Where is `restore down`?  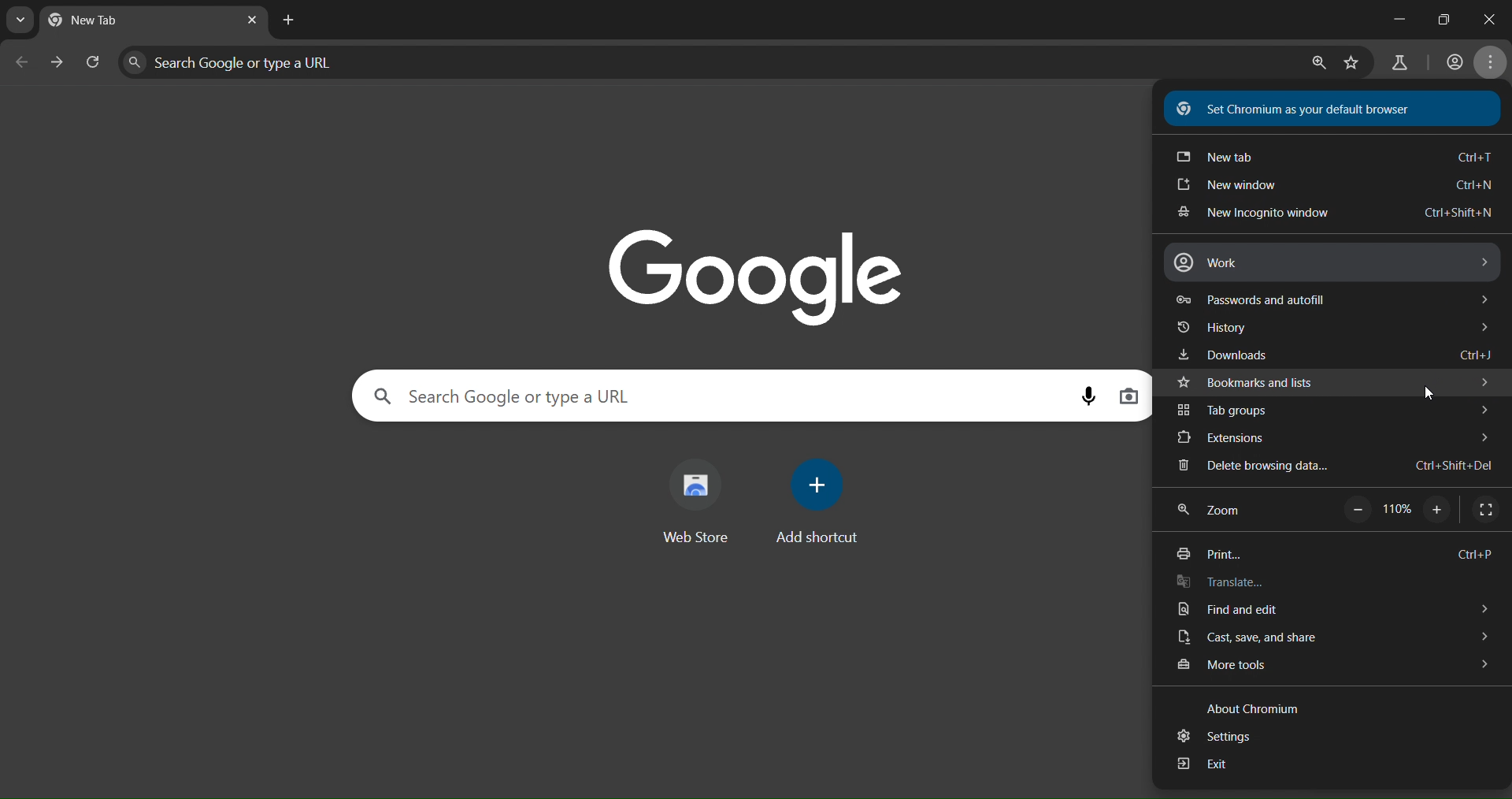 restore down is located at coordinates (1443, 17).